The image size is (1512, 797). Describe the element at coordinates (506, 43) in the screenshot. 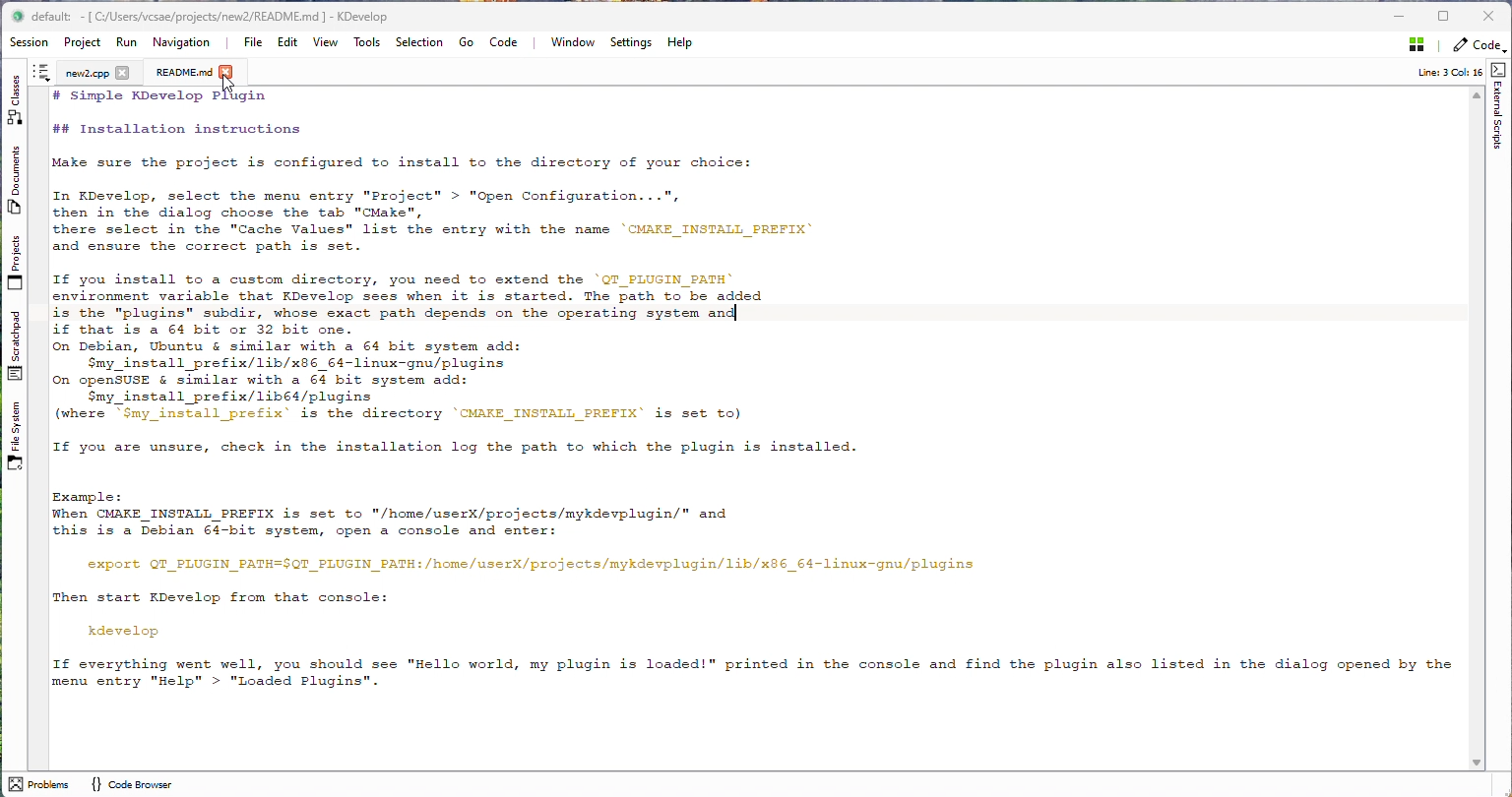

I see `Code` at that location.